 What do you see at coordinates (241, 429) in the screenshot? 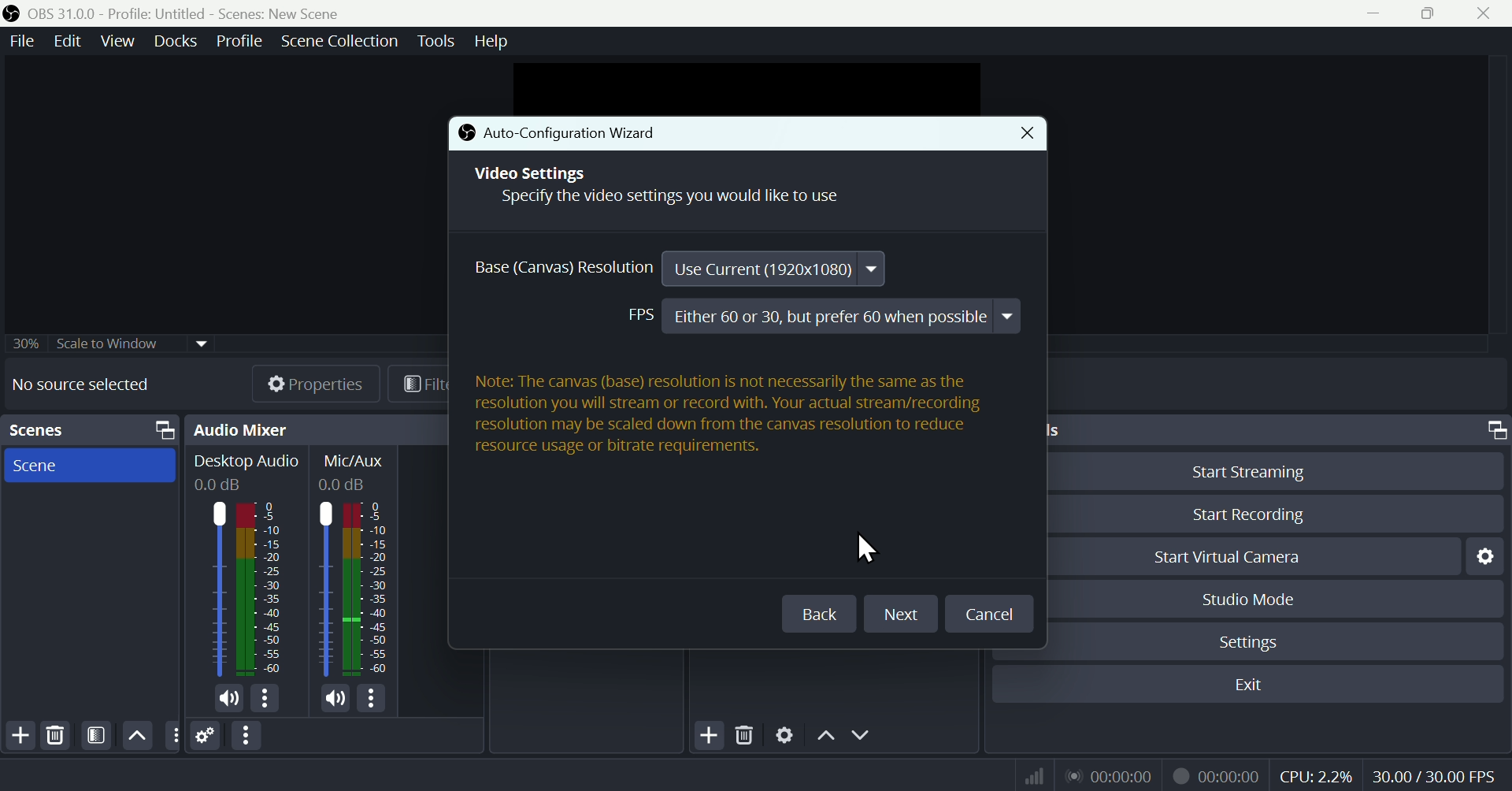
I see `Audio mixer` at bounding box center [241, 429].